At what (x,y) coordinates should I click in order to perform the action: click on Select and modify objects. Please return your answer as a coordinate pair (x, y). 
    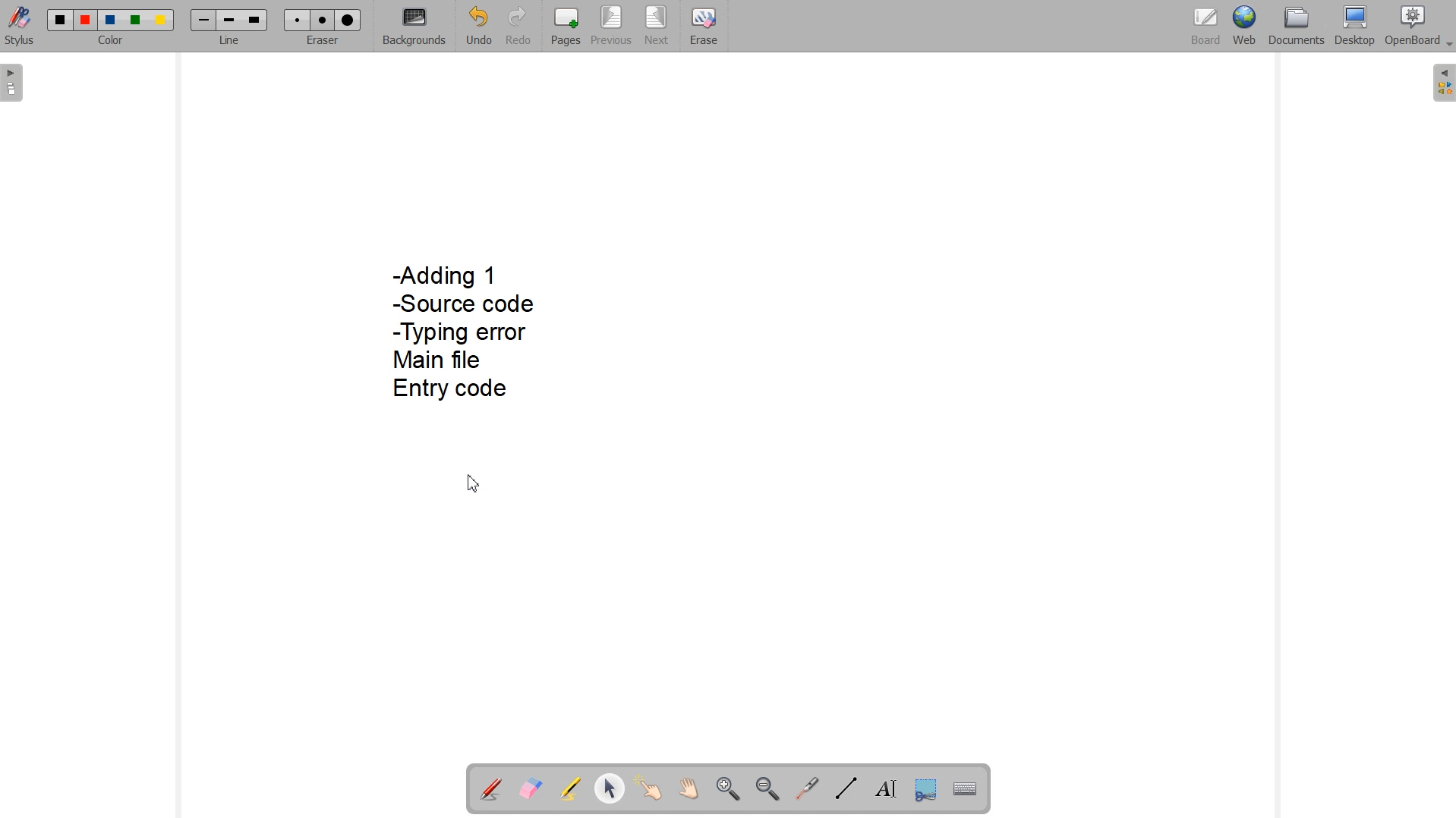
    Looking at the image, I should click on (610, 788).